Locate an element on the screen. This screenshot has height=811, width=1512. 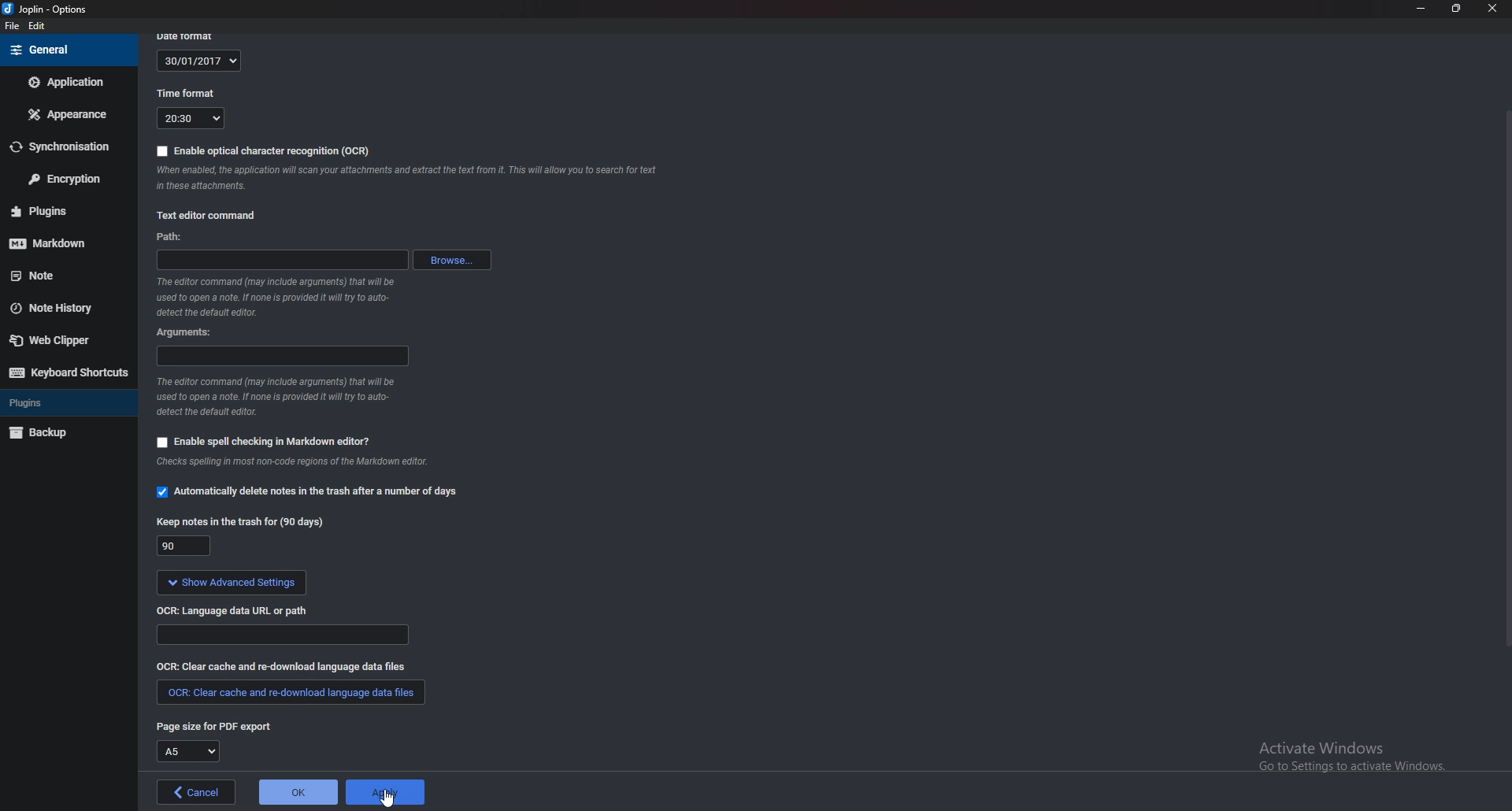
automatically delete notes is located at coordinates (315, 494).